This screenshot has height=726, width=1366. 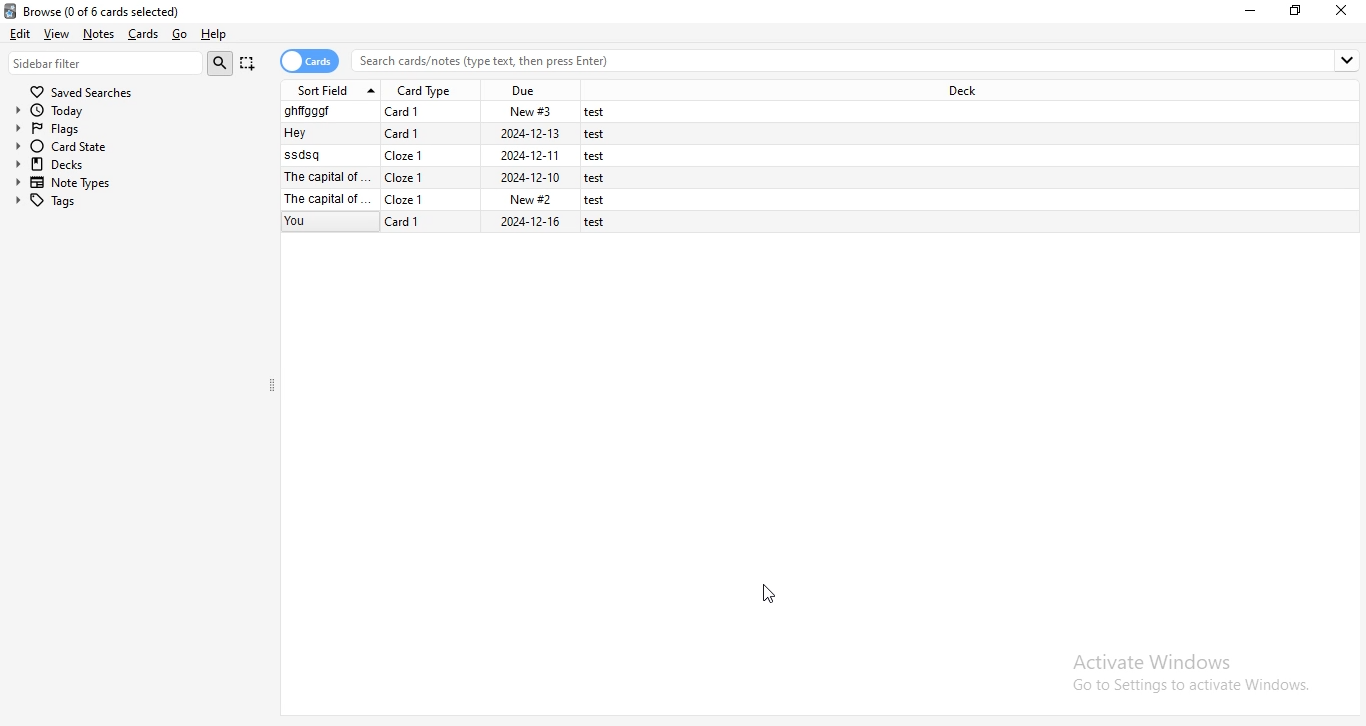 I want to click on card type, so click(x=428, y=89).